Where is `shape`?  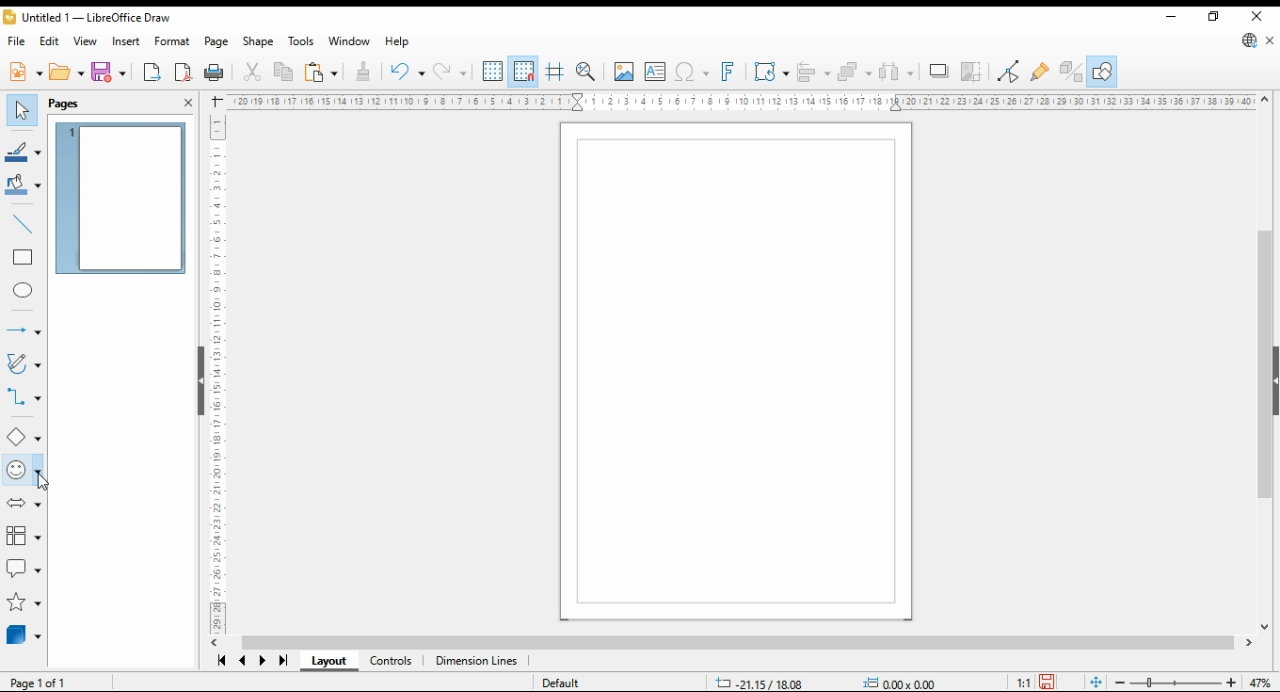
shape is located at coordinates (258, 42).